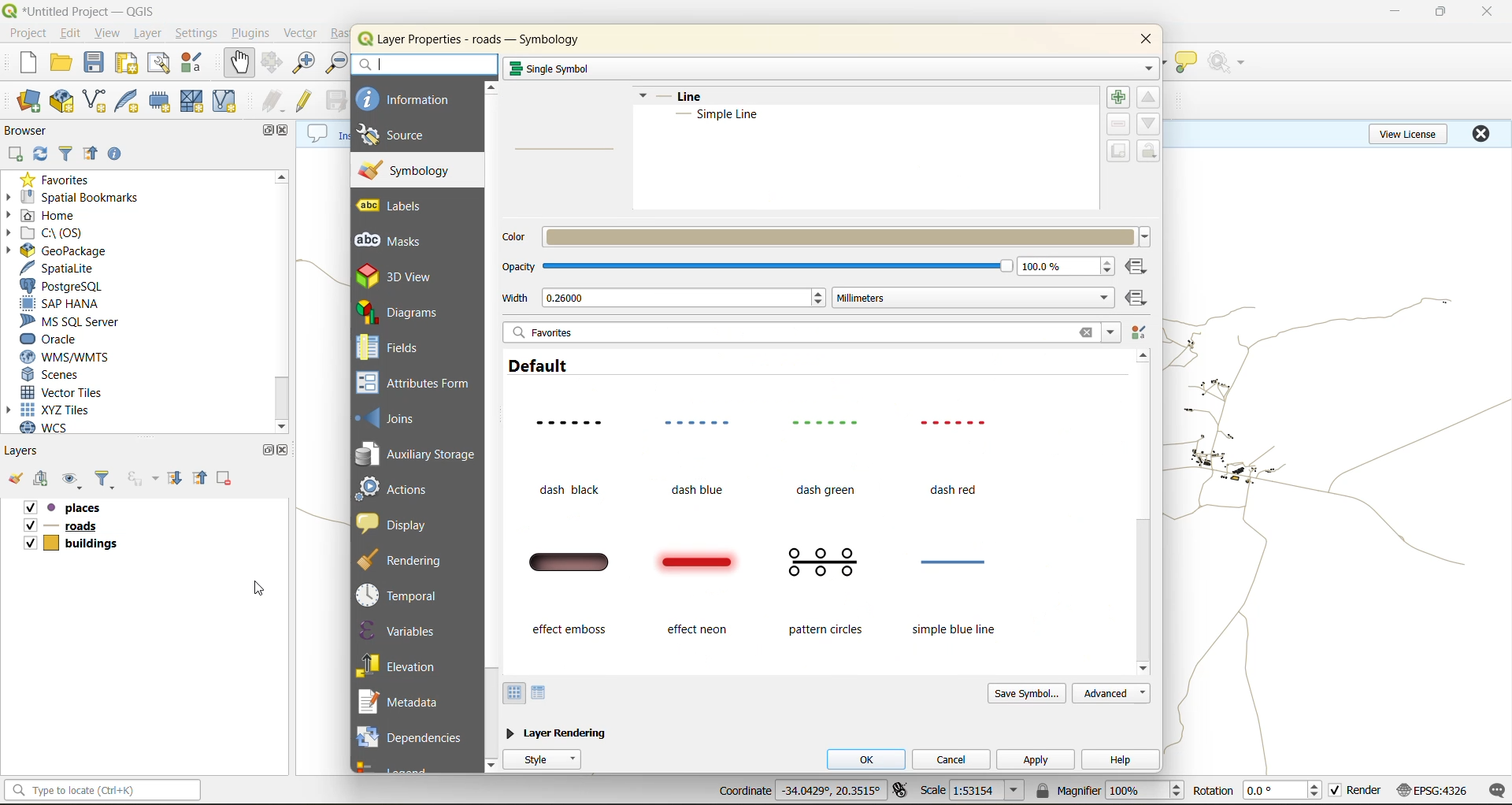 The image size is (1512, 805). I want to click on style manager, so click(1137, 333).